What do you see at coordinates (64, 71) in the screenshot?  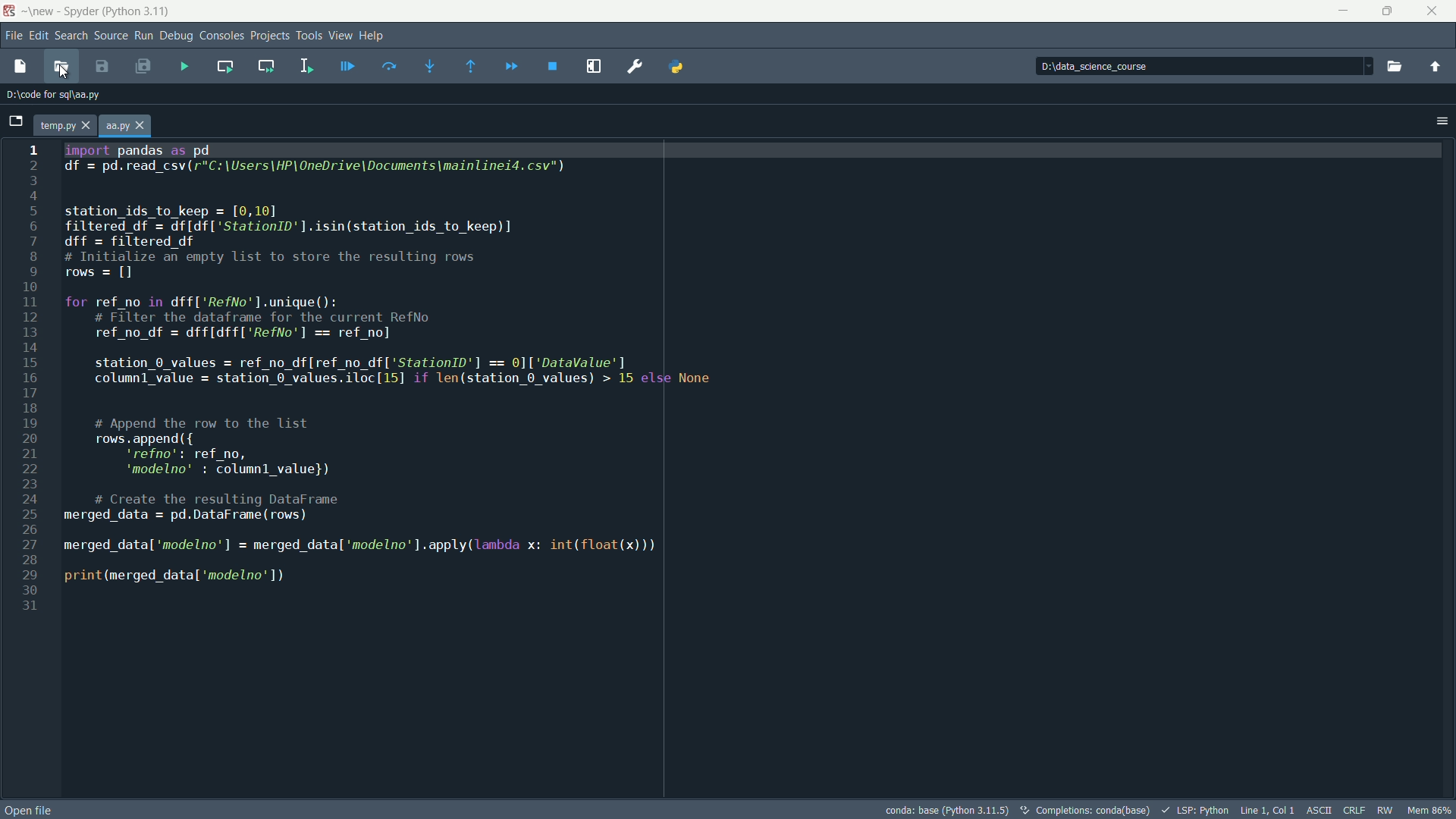 I see `Cursor` at bounding box center [64, 71].